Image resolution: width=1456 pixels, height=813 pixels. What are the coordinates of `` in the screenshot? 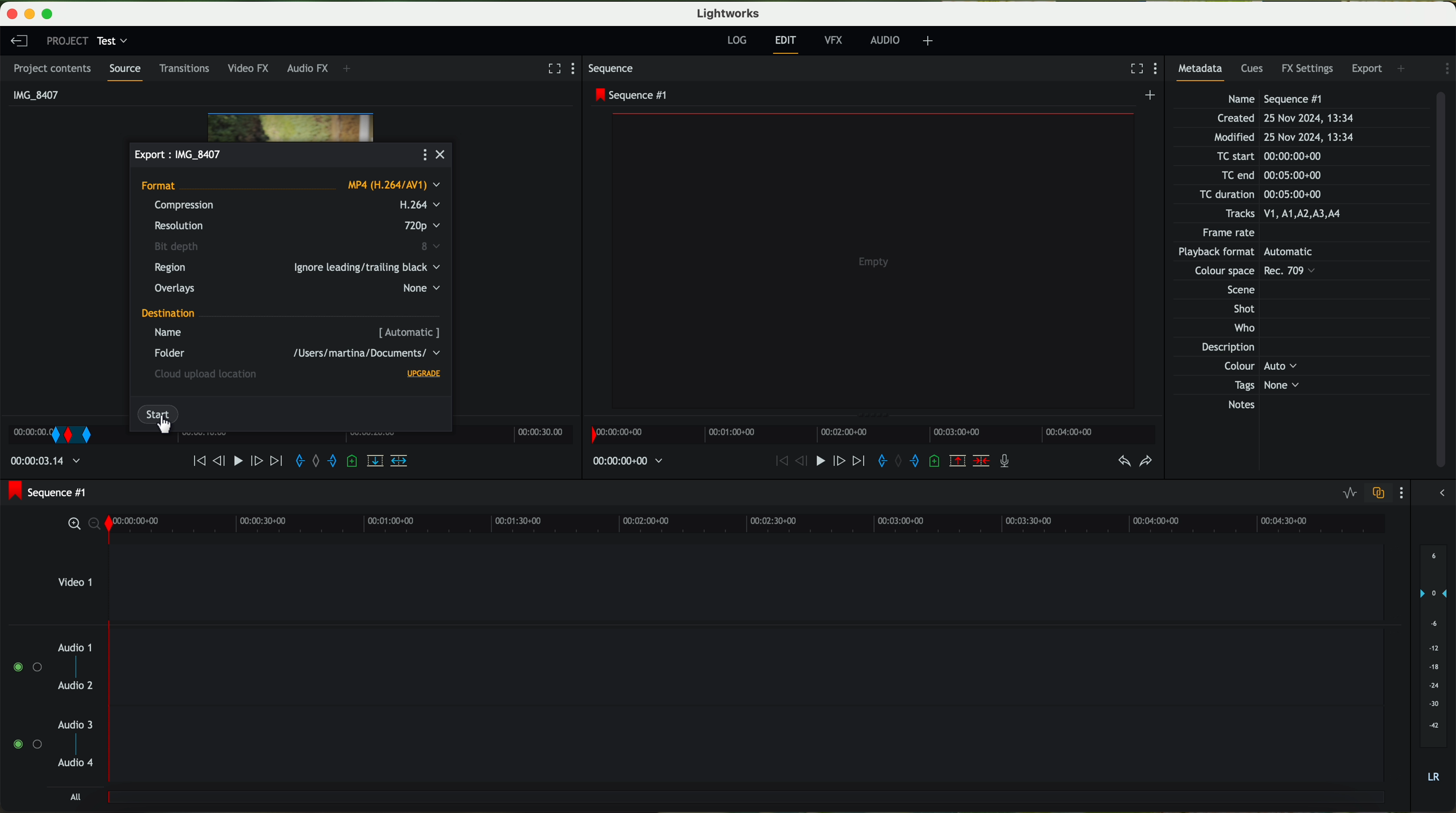 It's located at (1242, 273).